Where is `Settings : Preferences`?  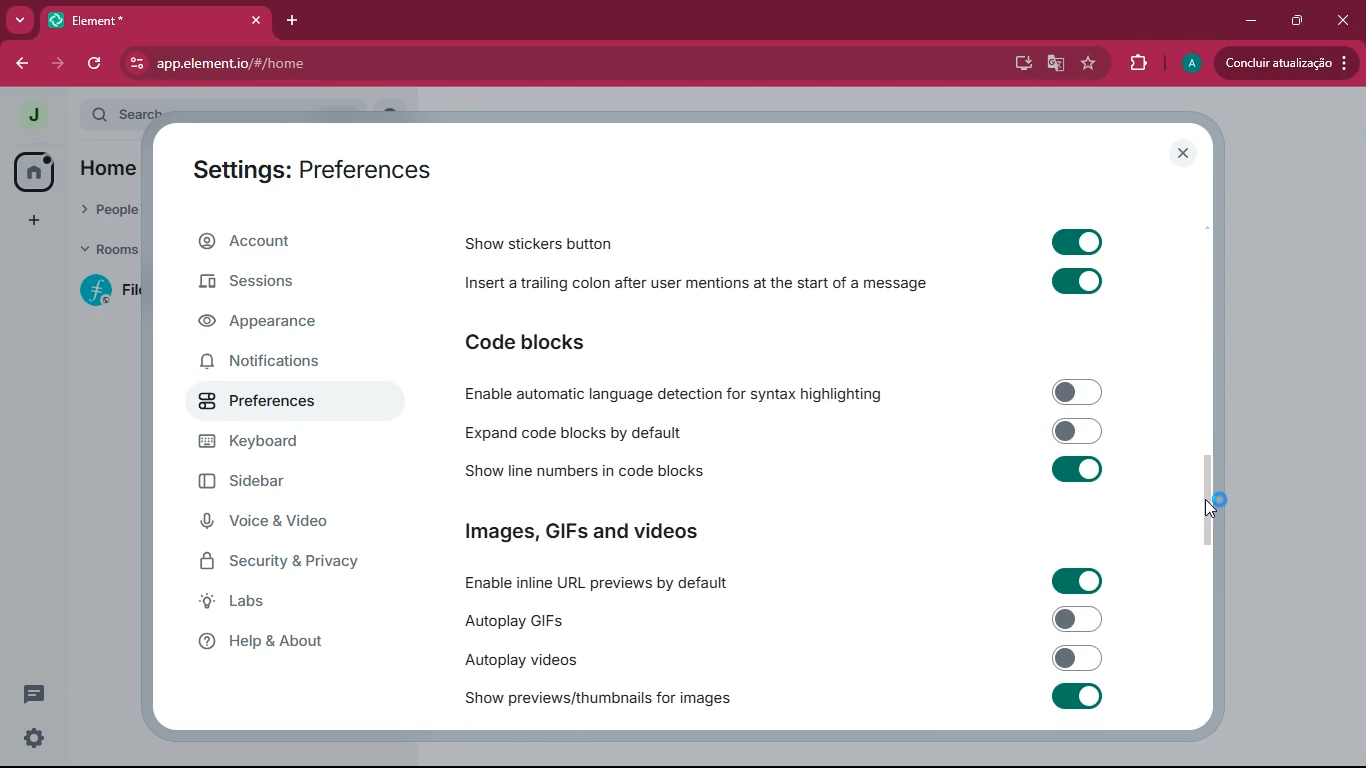
Settings : Preferences is located at coordinates (307, 167).